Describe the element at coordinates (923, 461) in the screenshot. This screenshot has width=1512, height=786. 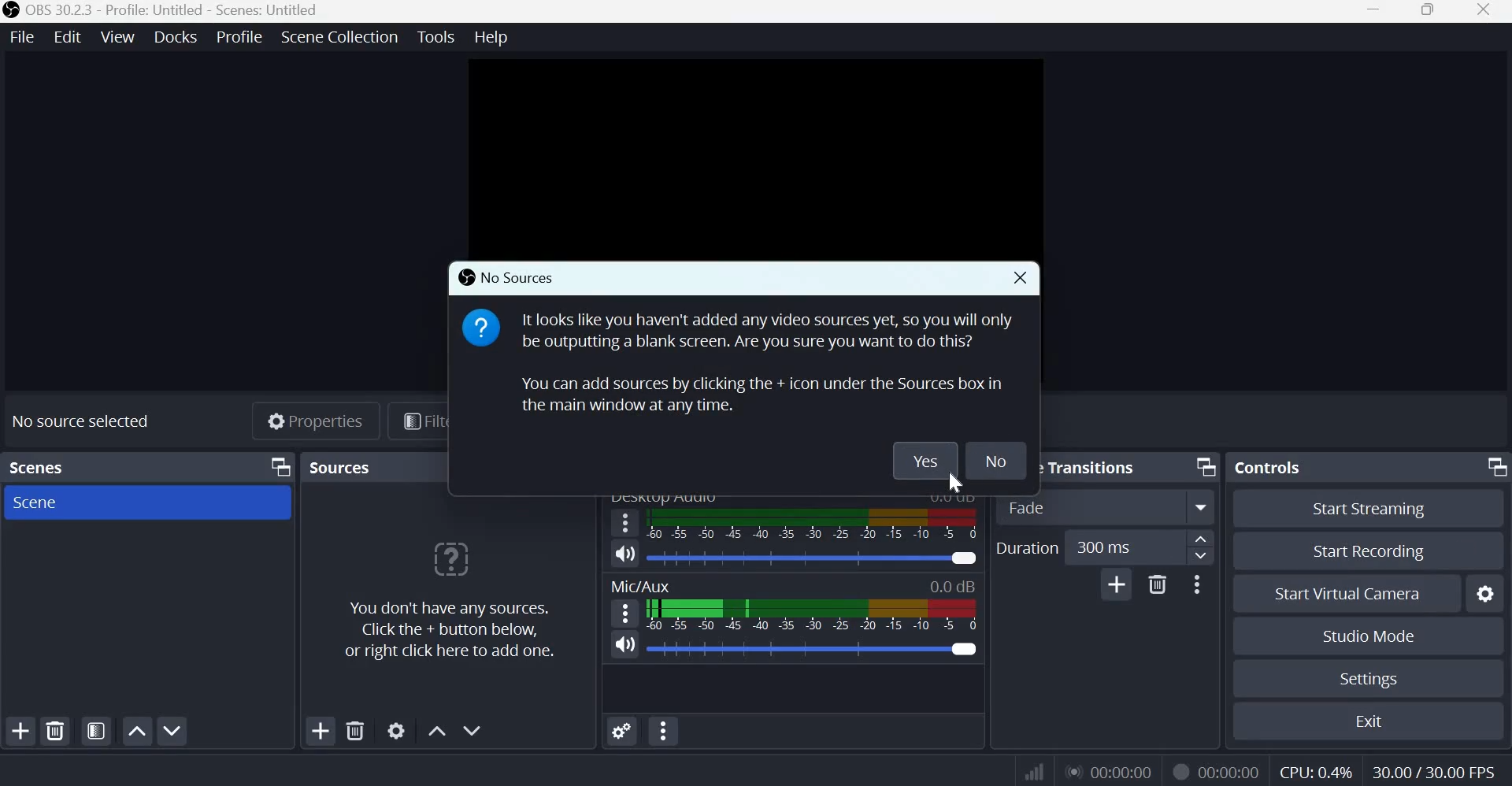
I see `Yes` at that location.